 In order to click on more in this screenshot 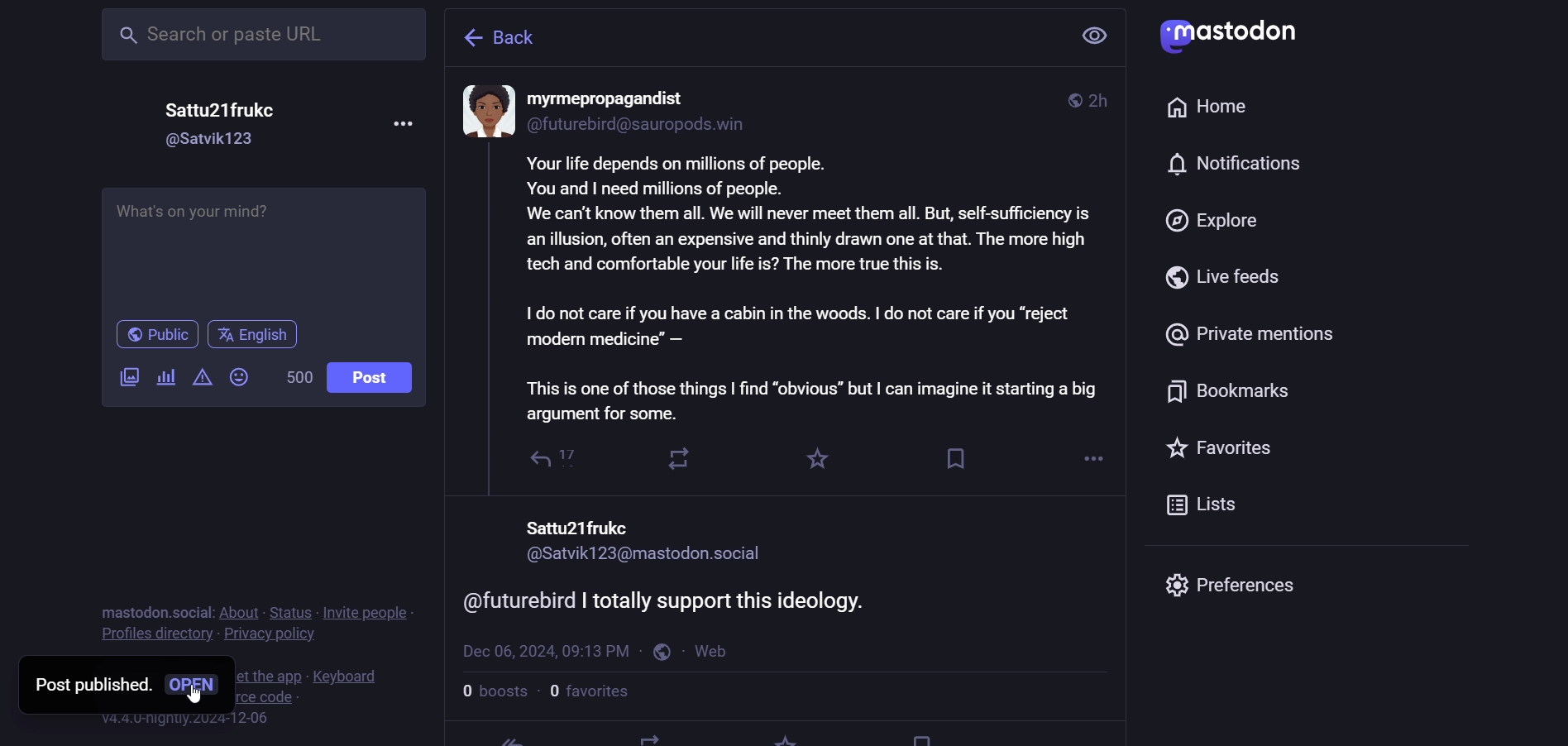, I will do `click(398, 122)`.